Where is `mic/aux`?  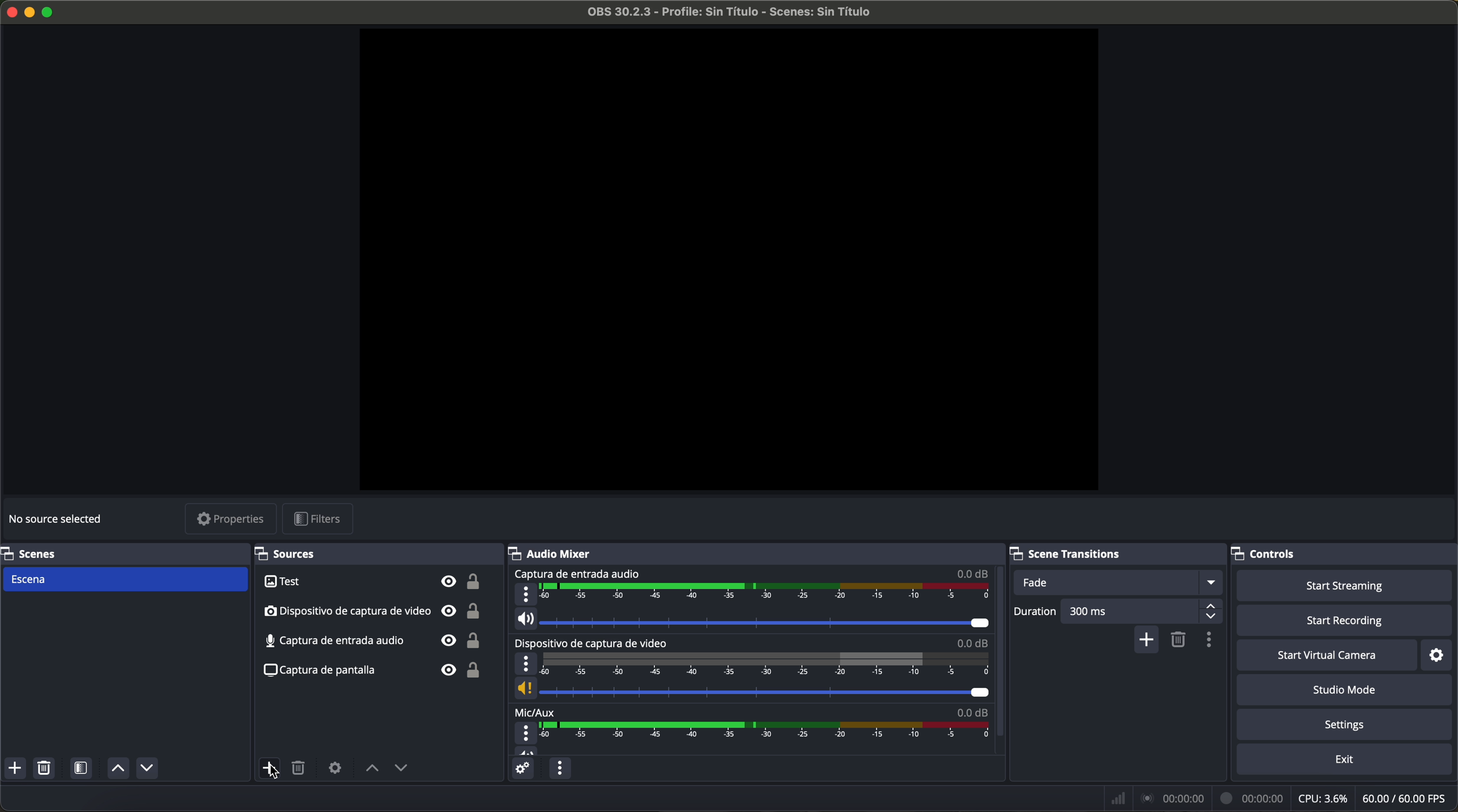 mic/aux is located at coordinates (541, 712).